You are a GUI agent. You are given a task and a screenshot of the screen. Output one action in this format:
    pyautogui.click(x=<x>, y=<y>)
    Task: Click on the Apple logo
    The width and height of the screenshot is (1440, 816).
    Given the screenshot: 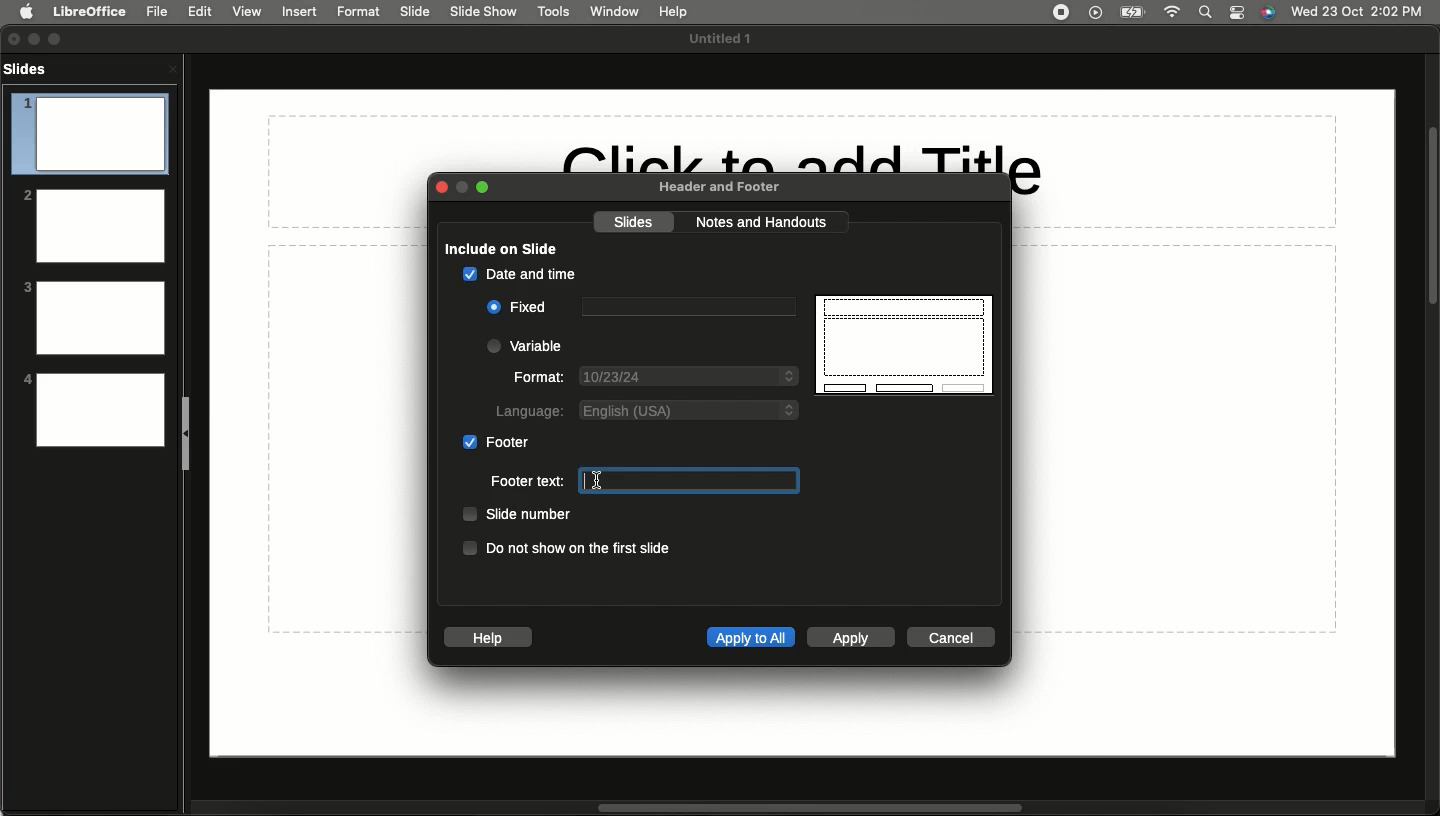 What is the action you would take?
    pyautogui.click(x=27, y=12)
    